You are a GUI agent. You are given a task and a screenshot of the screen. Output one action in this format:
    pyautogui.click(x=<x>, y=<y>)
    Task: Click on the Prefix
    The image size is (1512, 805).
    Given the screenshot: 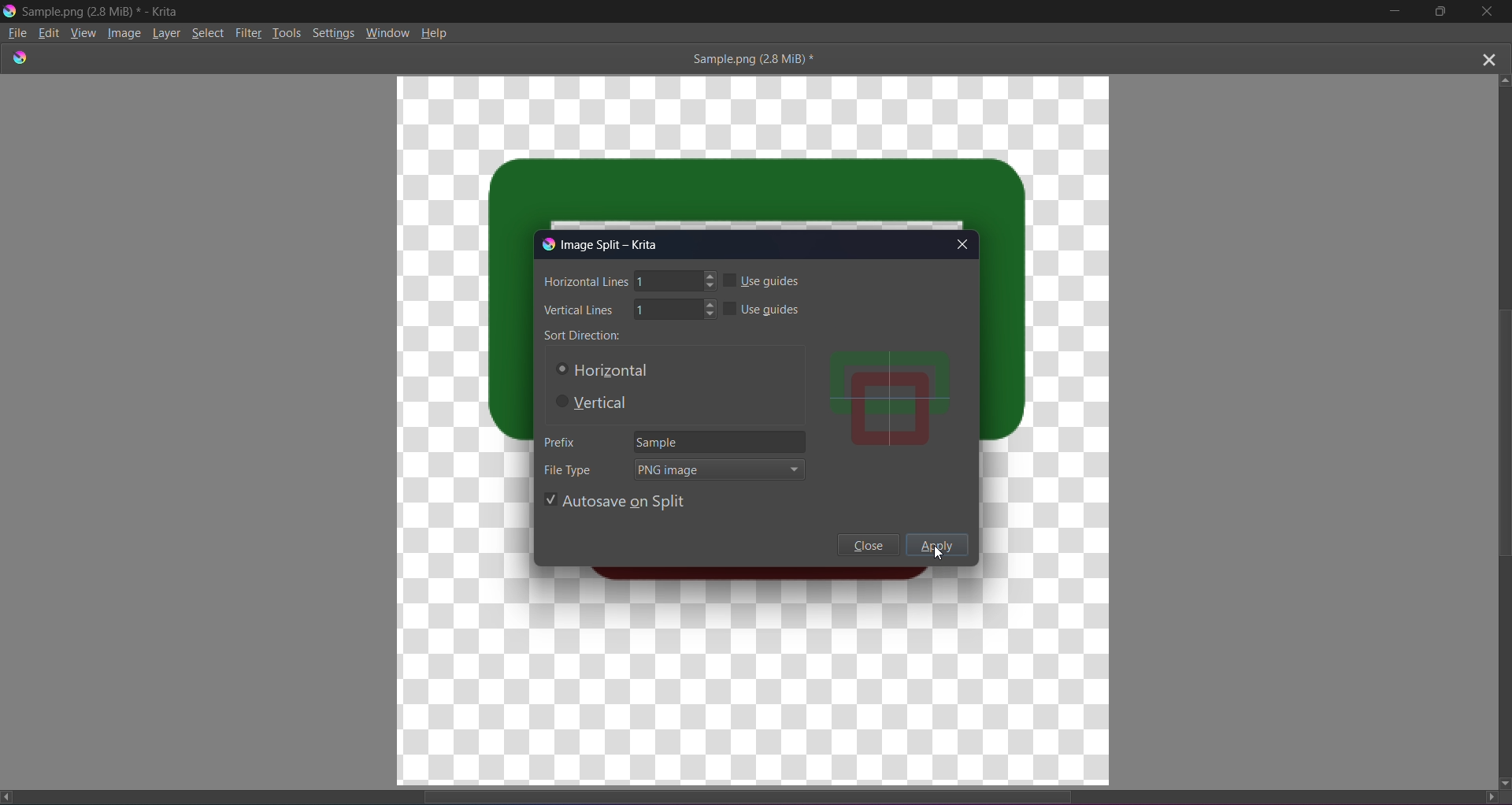 What is the action you would take?
    pyautogui.click(x=558, y=441)
    